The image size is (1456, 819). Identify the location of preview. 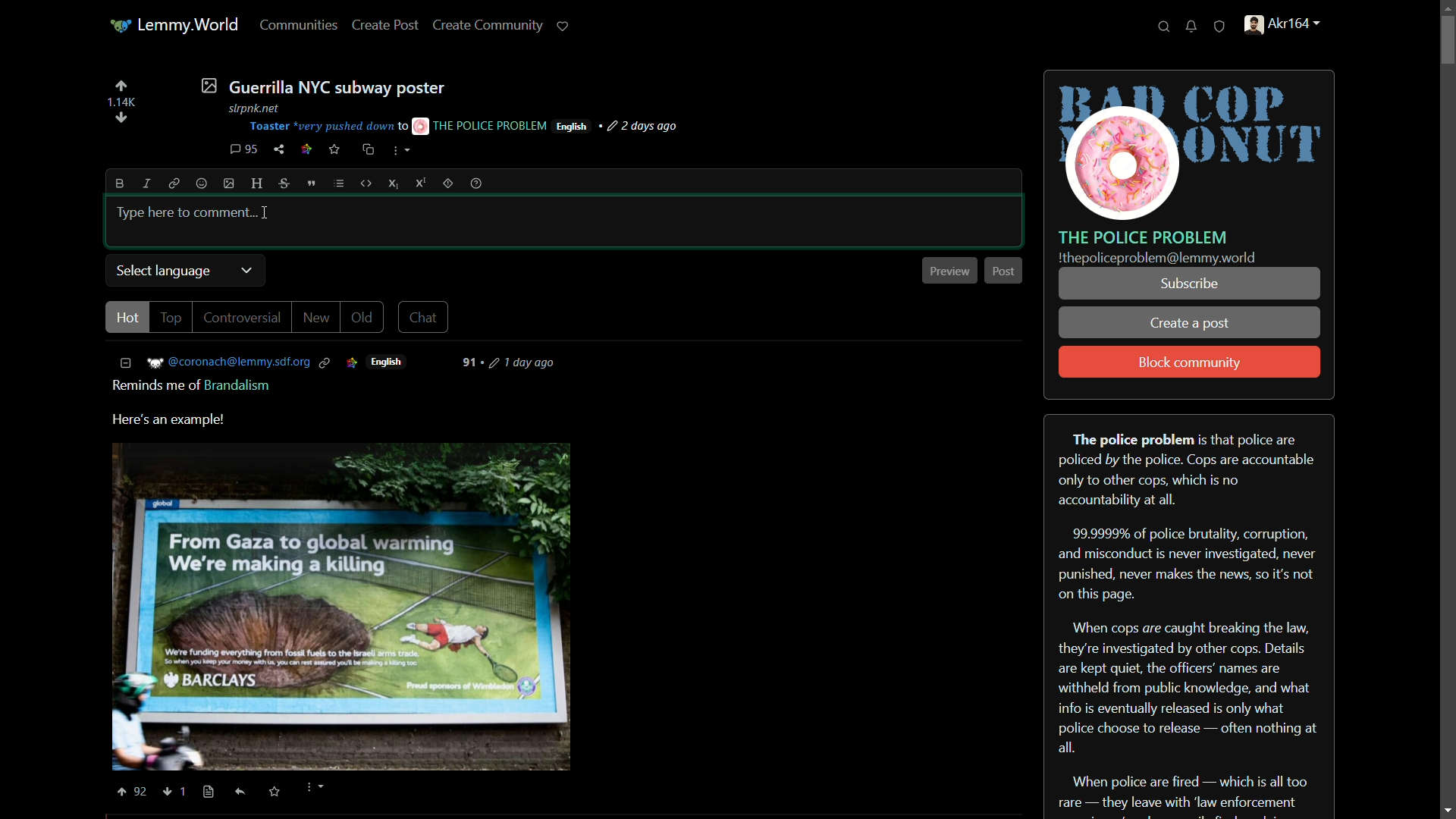
(949, 271).